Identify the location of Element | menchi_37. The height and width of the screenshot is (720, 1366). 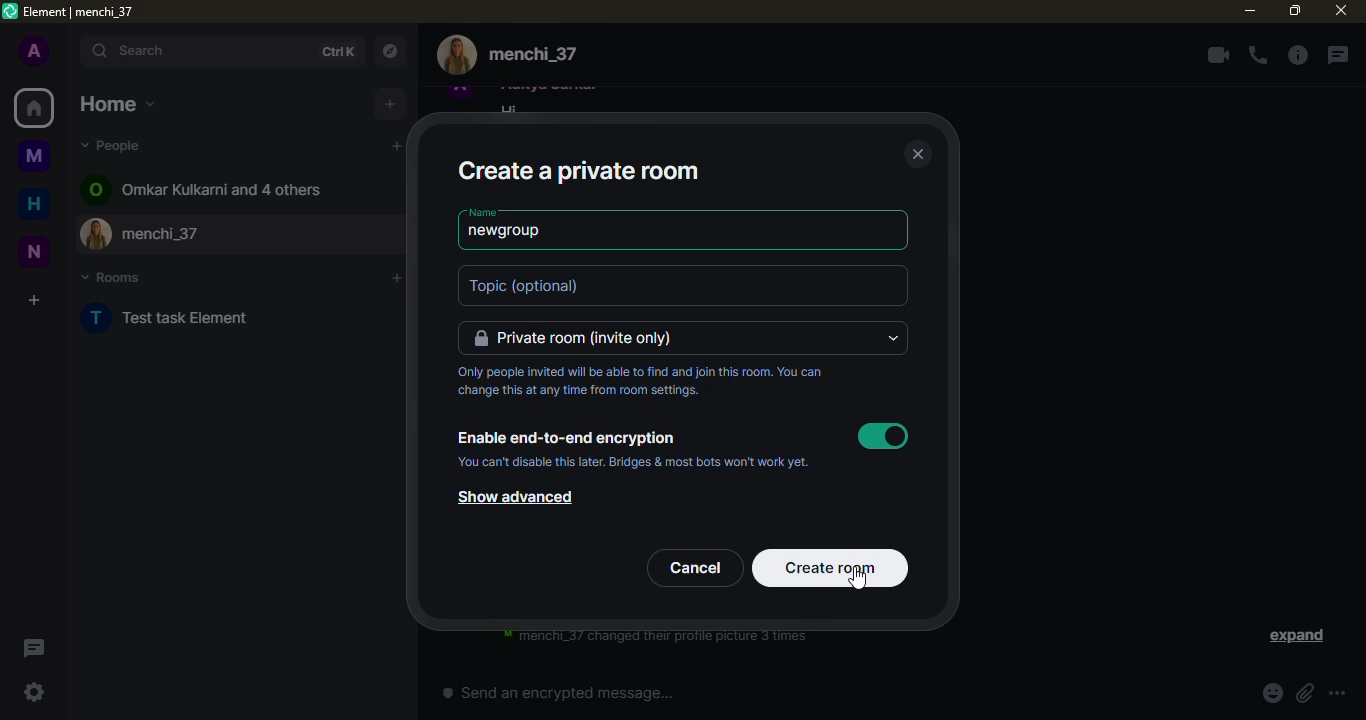
(79, 12).